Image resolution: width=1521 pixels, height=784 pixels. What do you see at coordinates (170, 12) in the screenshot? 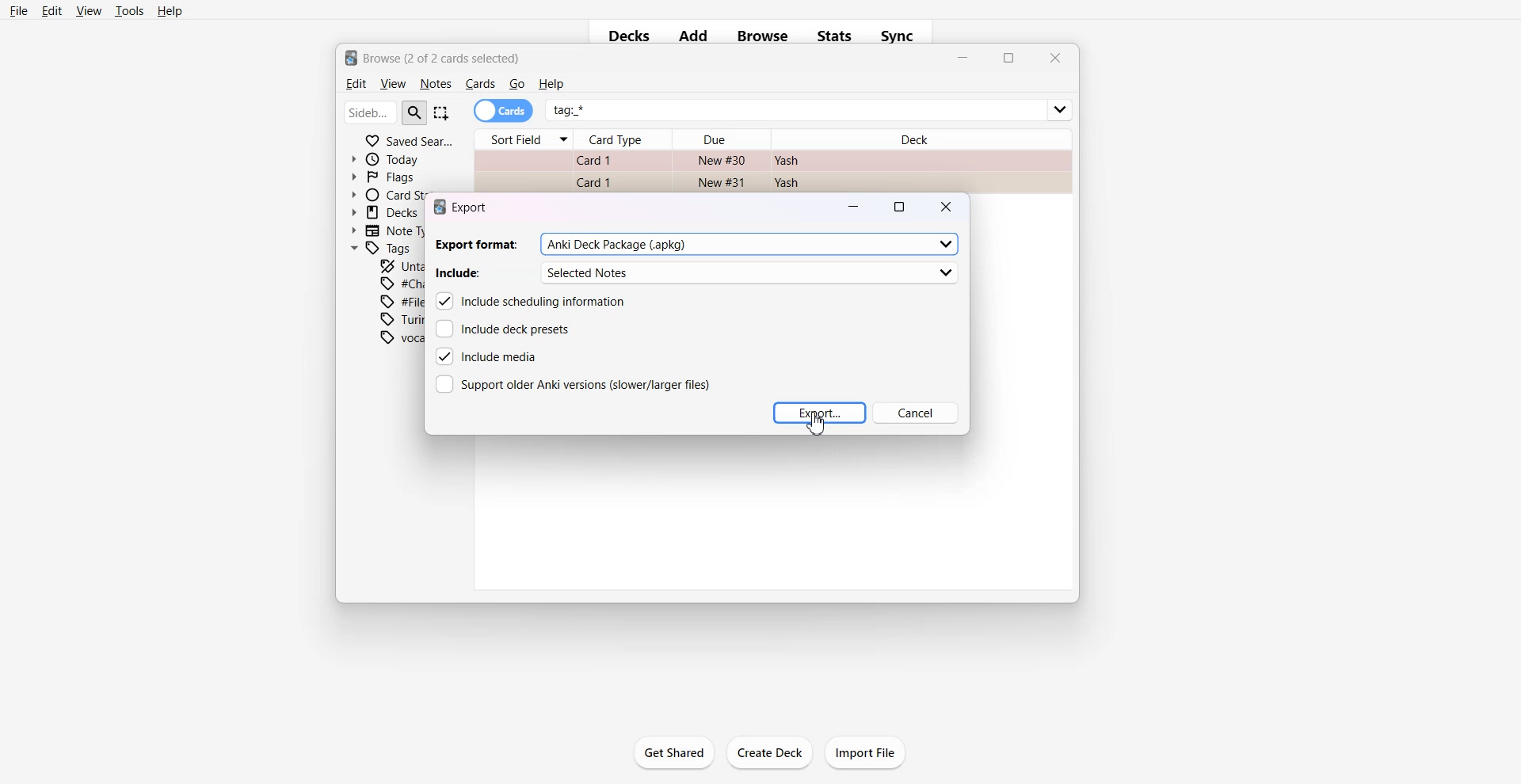
I see `Help` at bounding box center [170, 12].